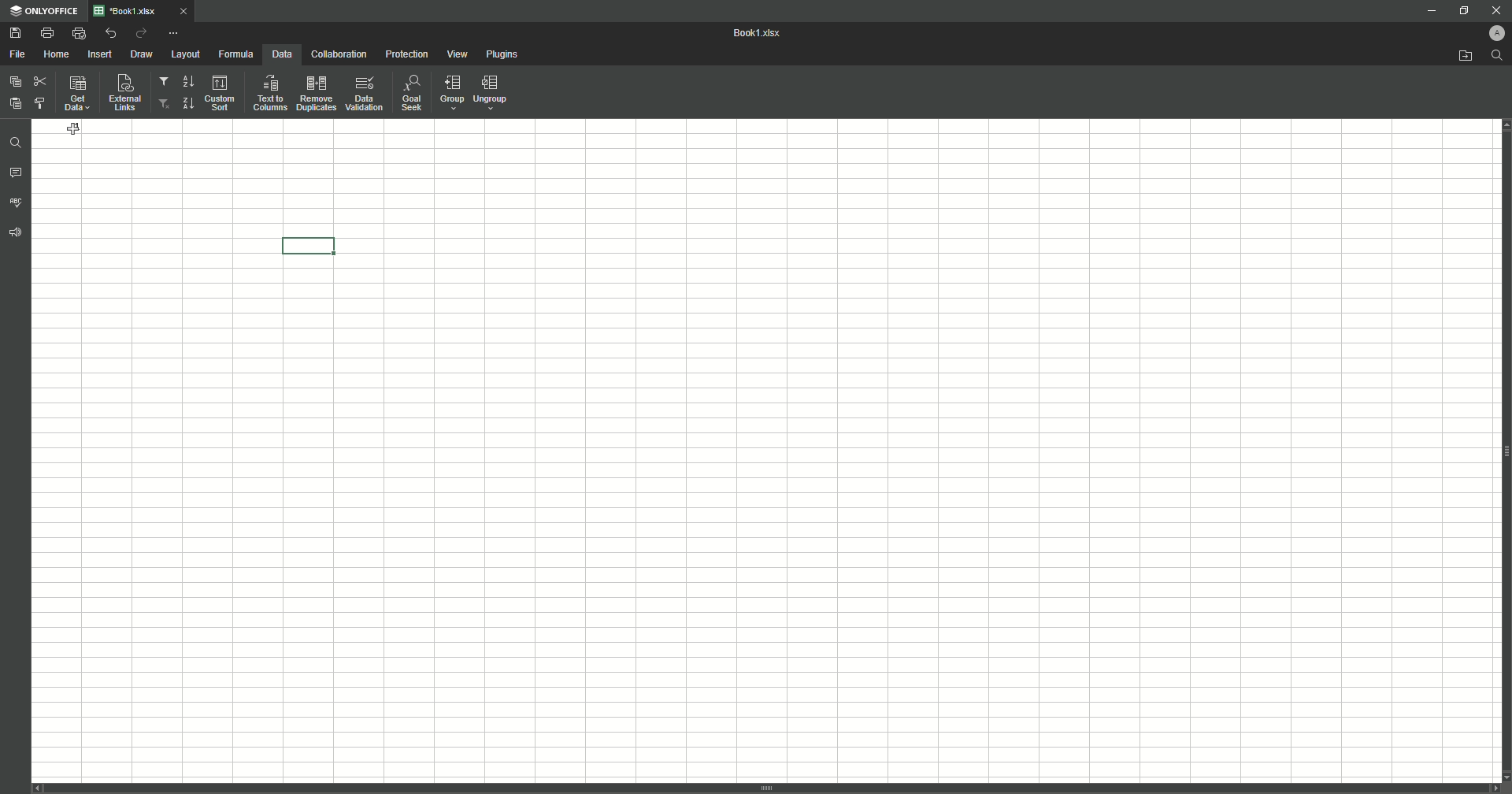 The height and width of the screenshot is (794, 1512). Describe the element at coordinates (15, 34) in the screenshot. I see `Save` at that location.